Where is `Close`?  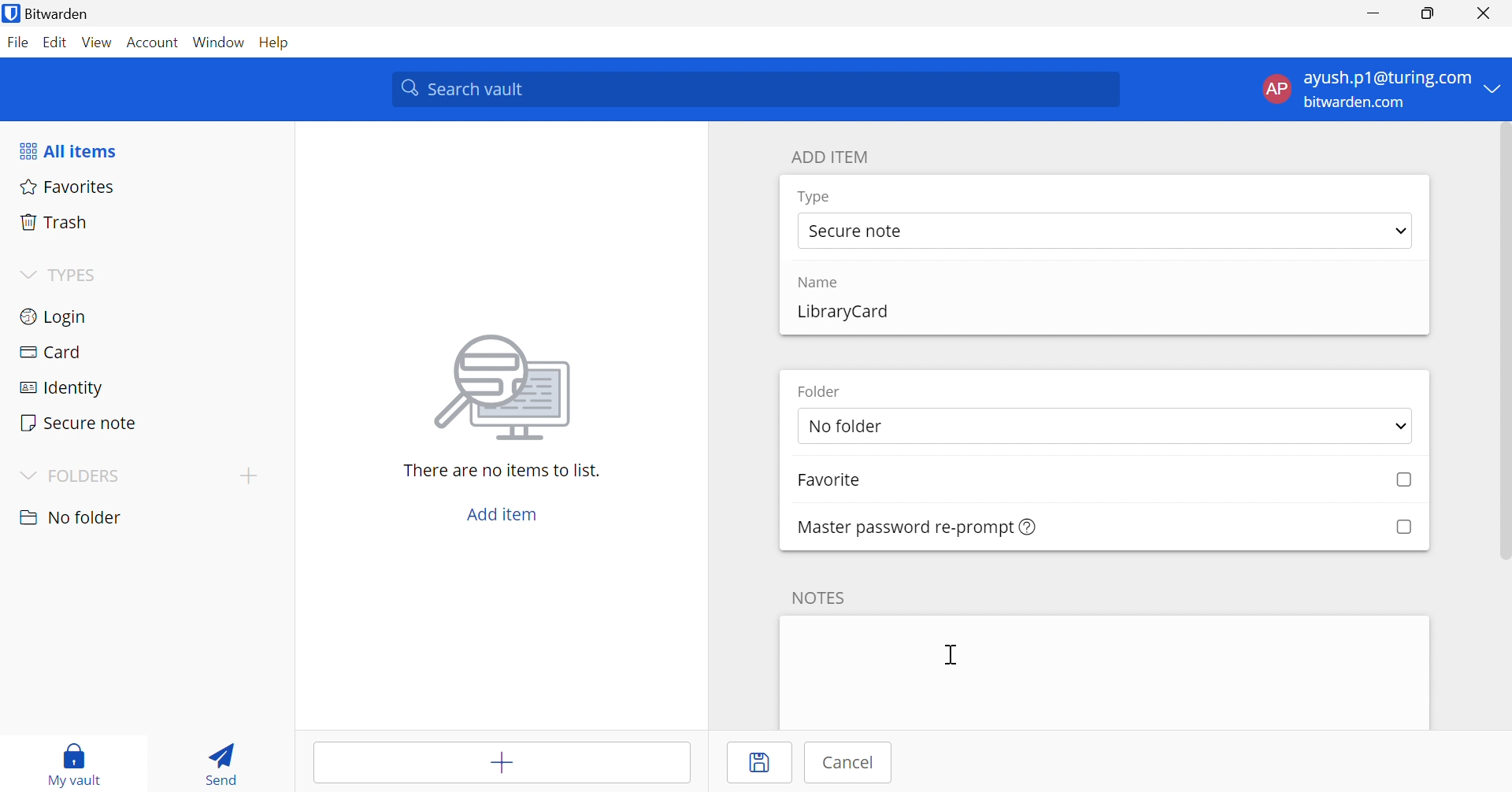
Close is located at coordinates (1483, 12).